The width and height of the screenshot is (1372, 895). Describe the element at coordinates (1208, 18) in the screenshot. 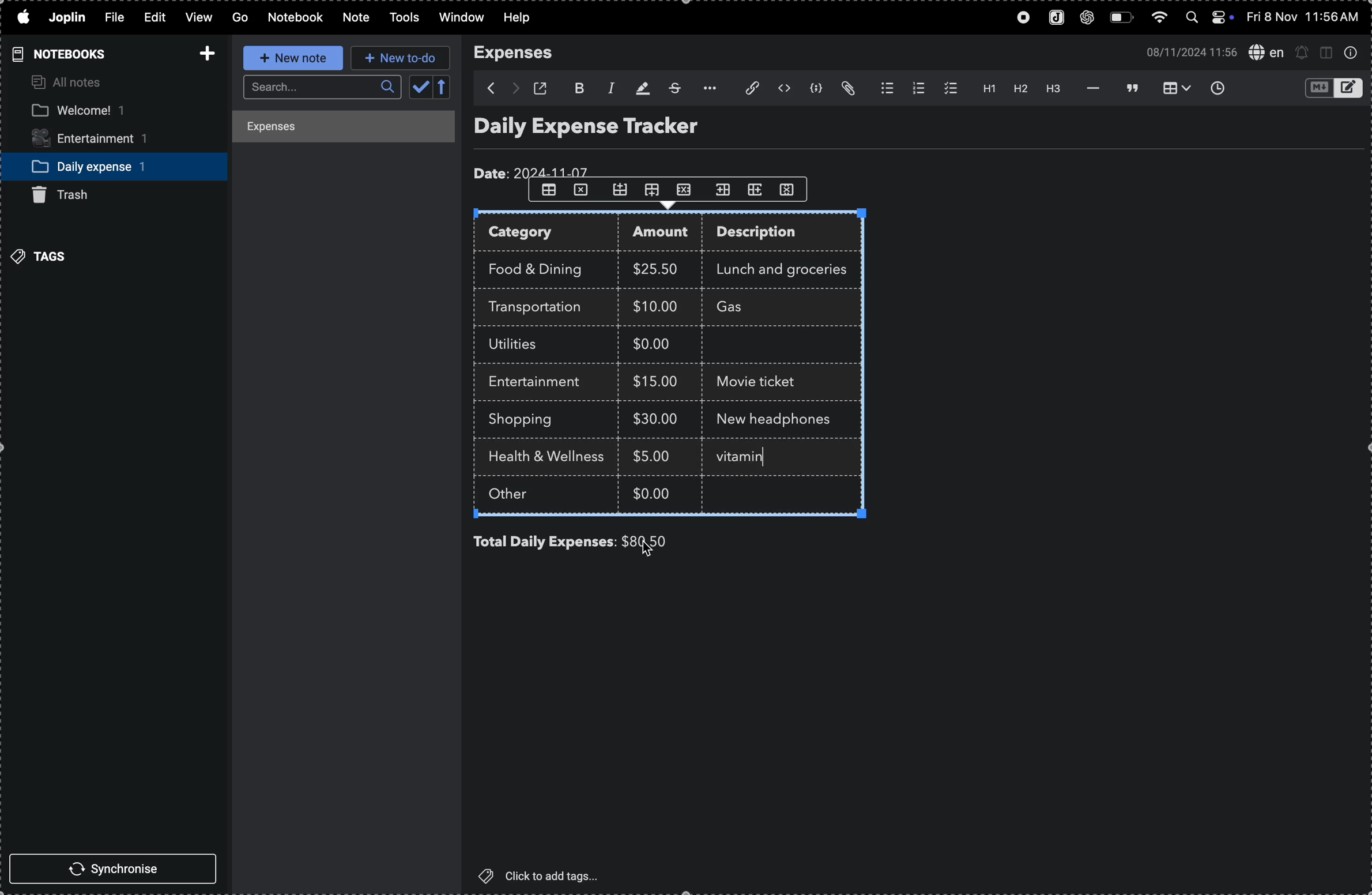

I see `apple widgets` at that location.